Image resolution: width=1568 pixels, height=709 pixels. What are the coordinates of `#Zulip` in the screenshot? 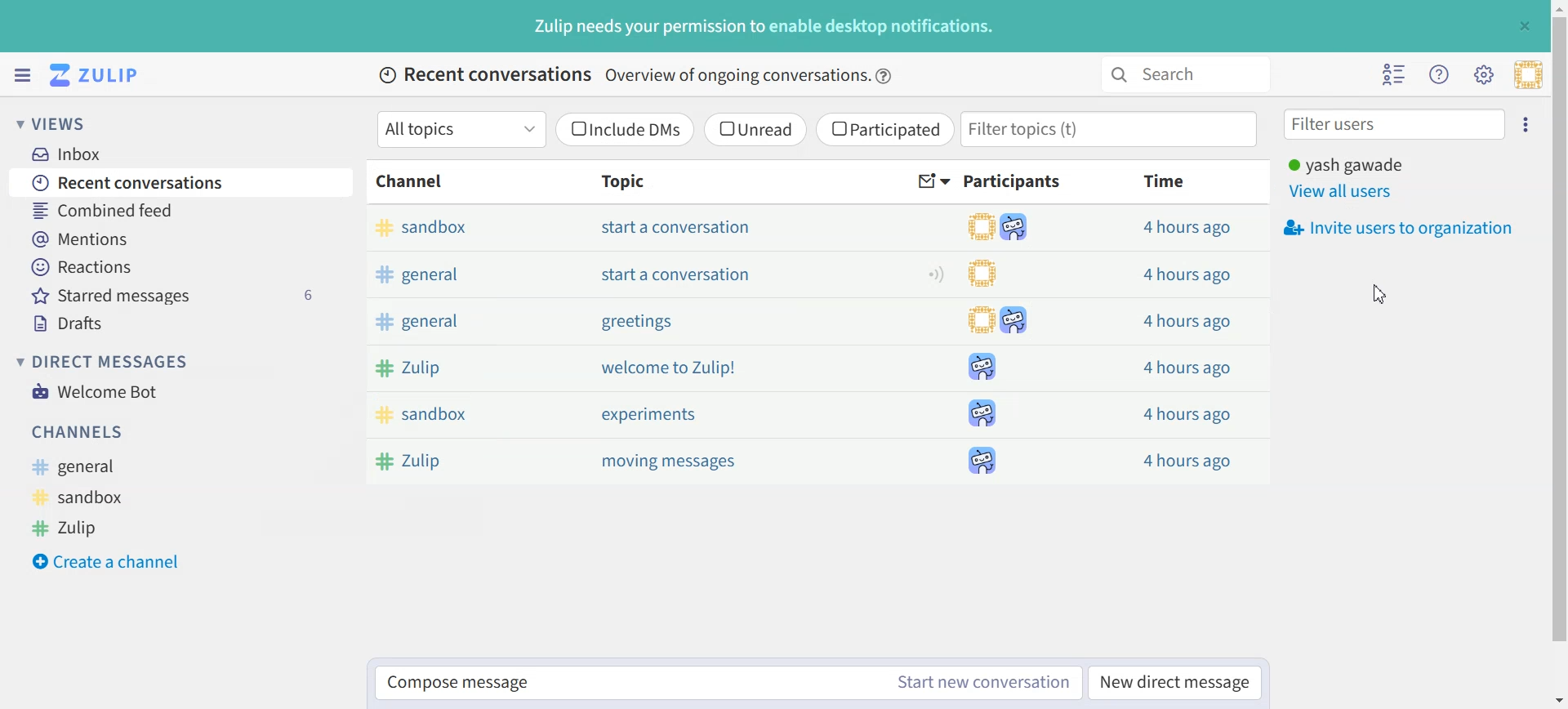 It's located at (469, 460).